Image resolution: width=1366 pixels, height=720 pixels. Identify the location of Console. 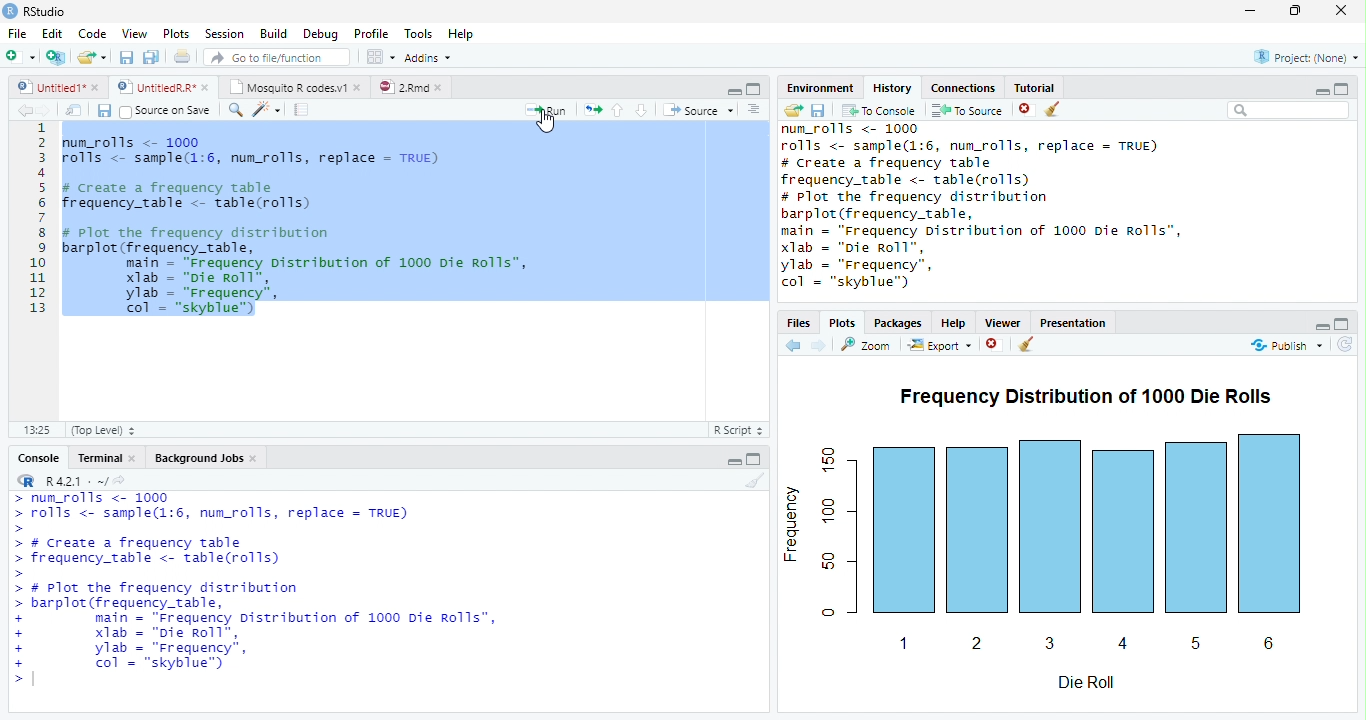
(38, 457).